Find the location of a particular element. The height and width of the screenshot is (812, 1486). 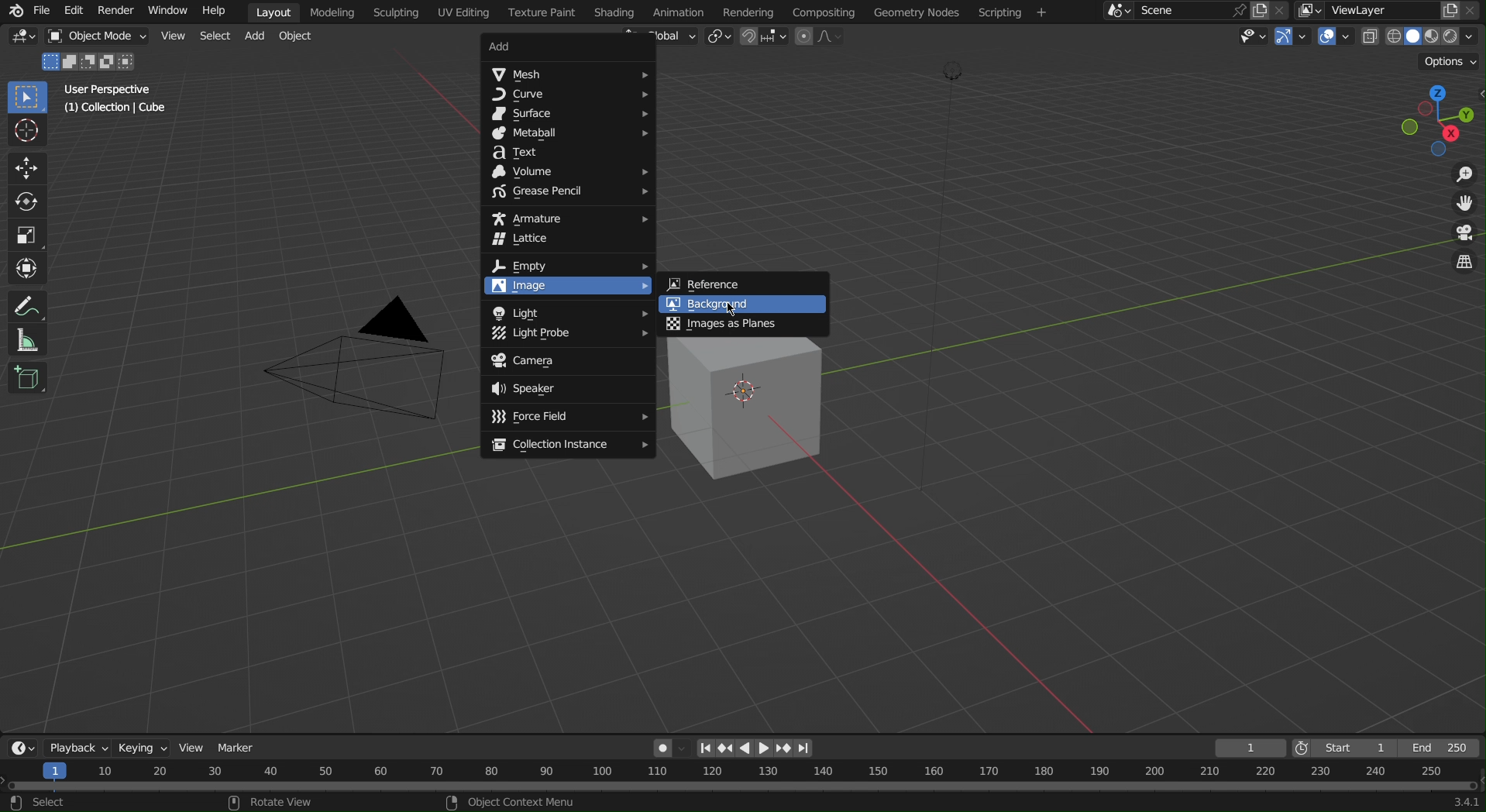

Animation is located at coordinates (679, 11).